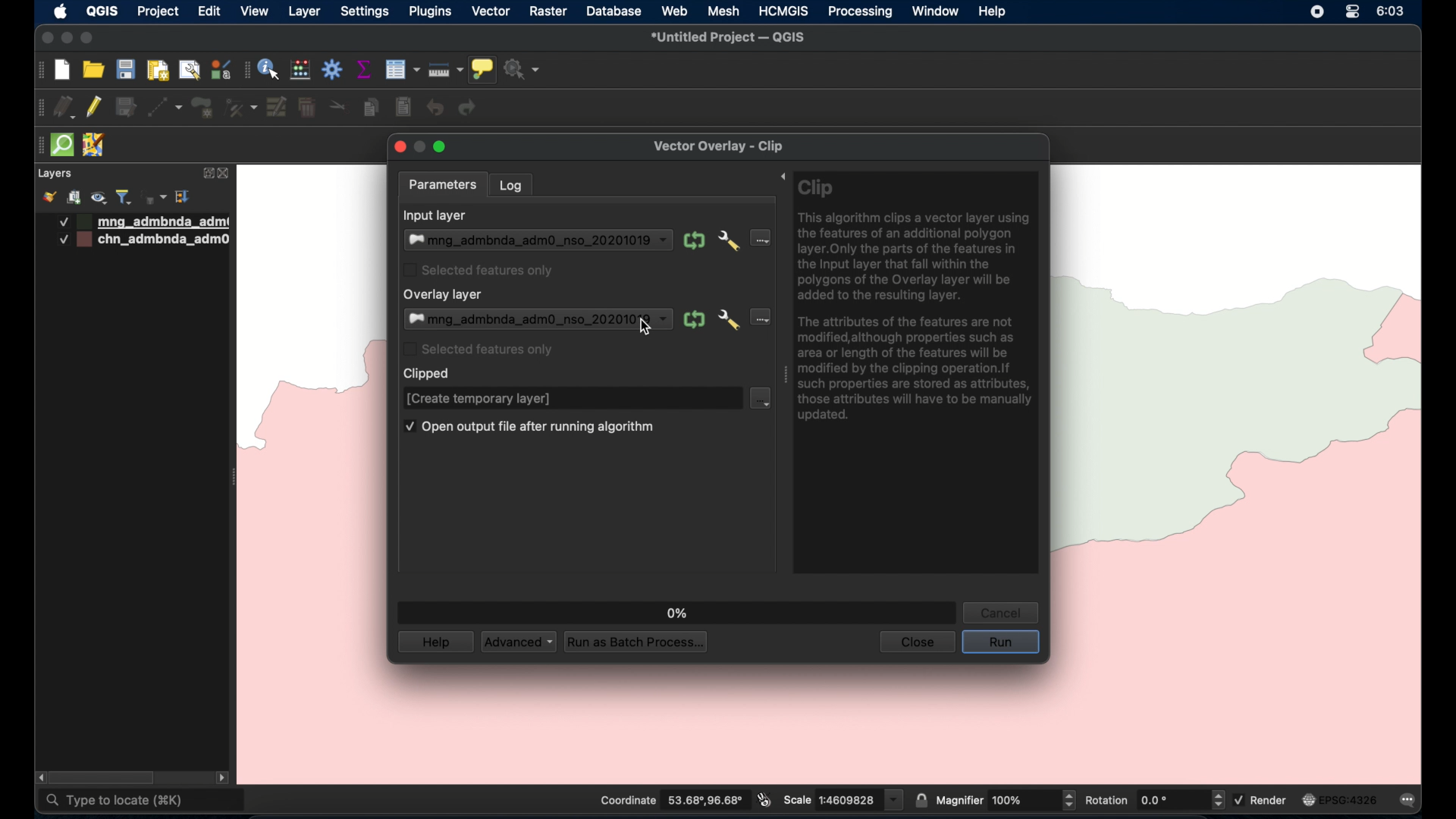 This screenshot has height=819, width=1456. Describe the element at coordinates (222, 780) in the screenshot. I see `scroll right` at that location.